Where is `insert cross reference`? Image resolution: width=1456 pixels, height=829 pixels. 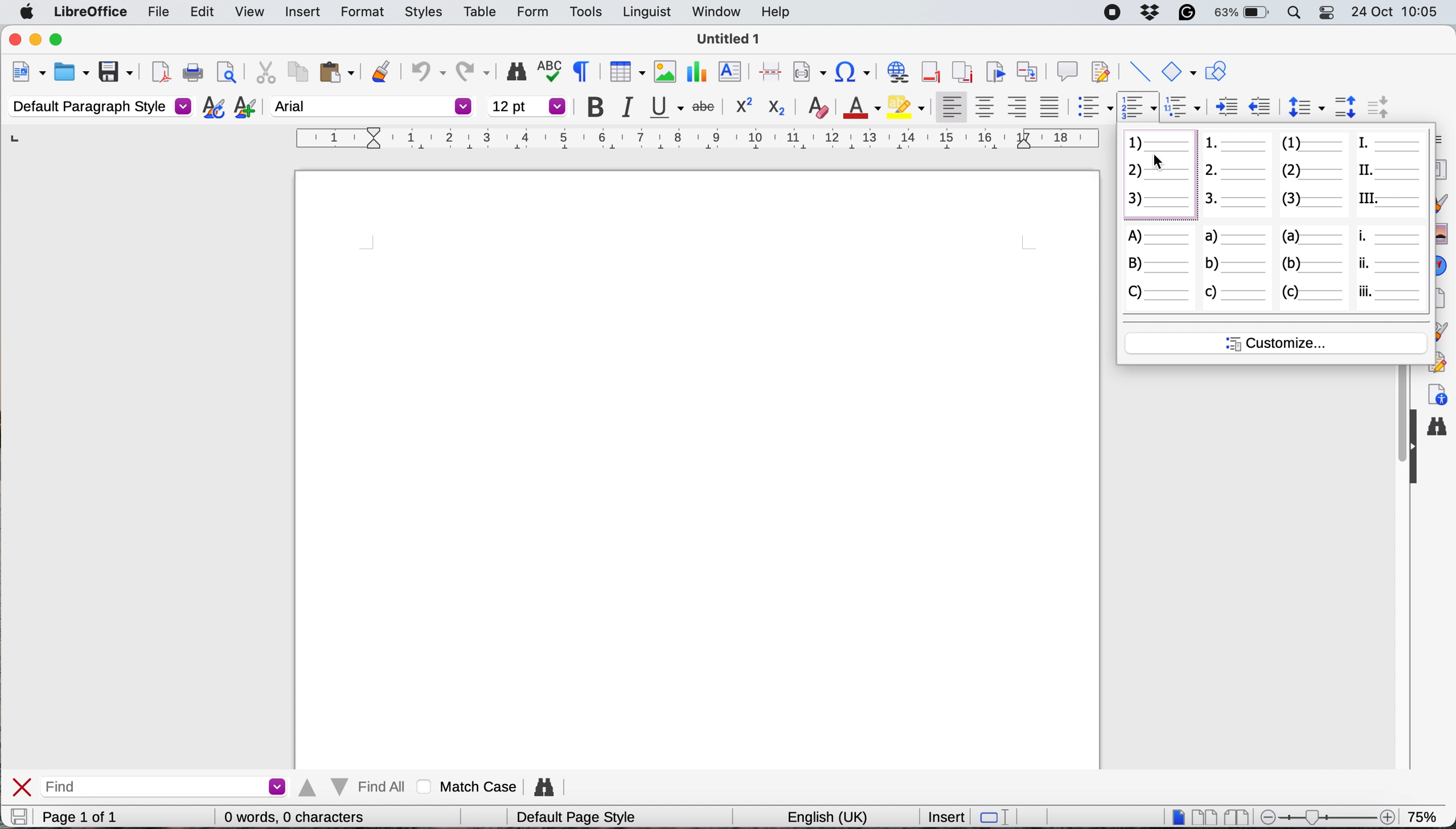
insert cross reference is located at coordinates (1030, 69).